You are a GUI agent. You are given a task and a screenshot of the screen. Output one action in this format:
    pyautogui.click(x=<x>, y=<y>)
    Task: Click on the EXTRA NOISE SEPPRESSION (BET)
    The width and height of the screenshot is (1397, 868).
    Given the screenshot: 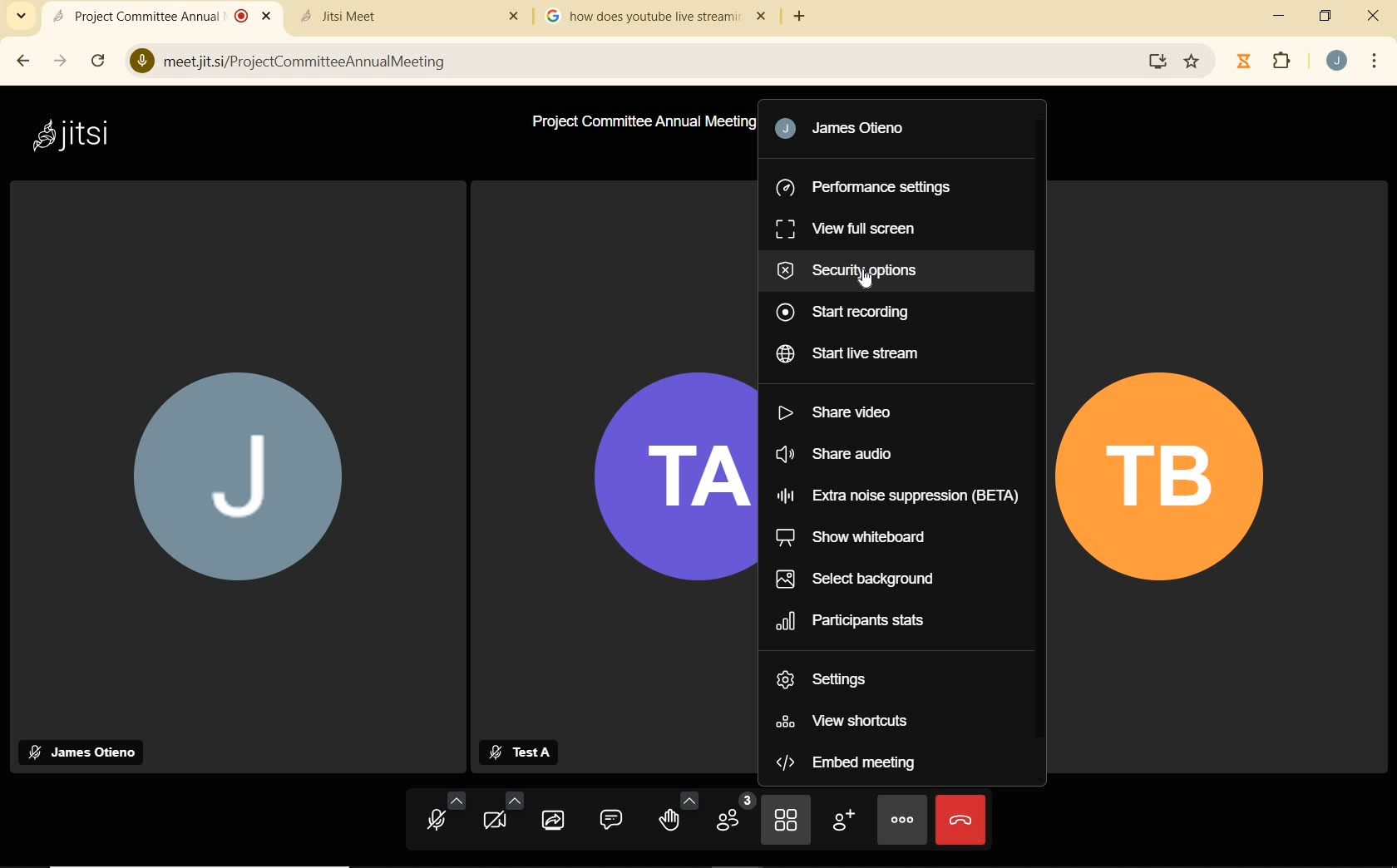 What is the action you would take?
    pyautogui.click(x=900, y=496)
    